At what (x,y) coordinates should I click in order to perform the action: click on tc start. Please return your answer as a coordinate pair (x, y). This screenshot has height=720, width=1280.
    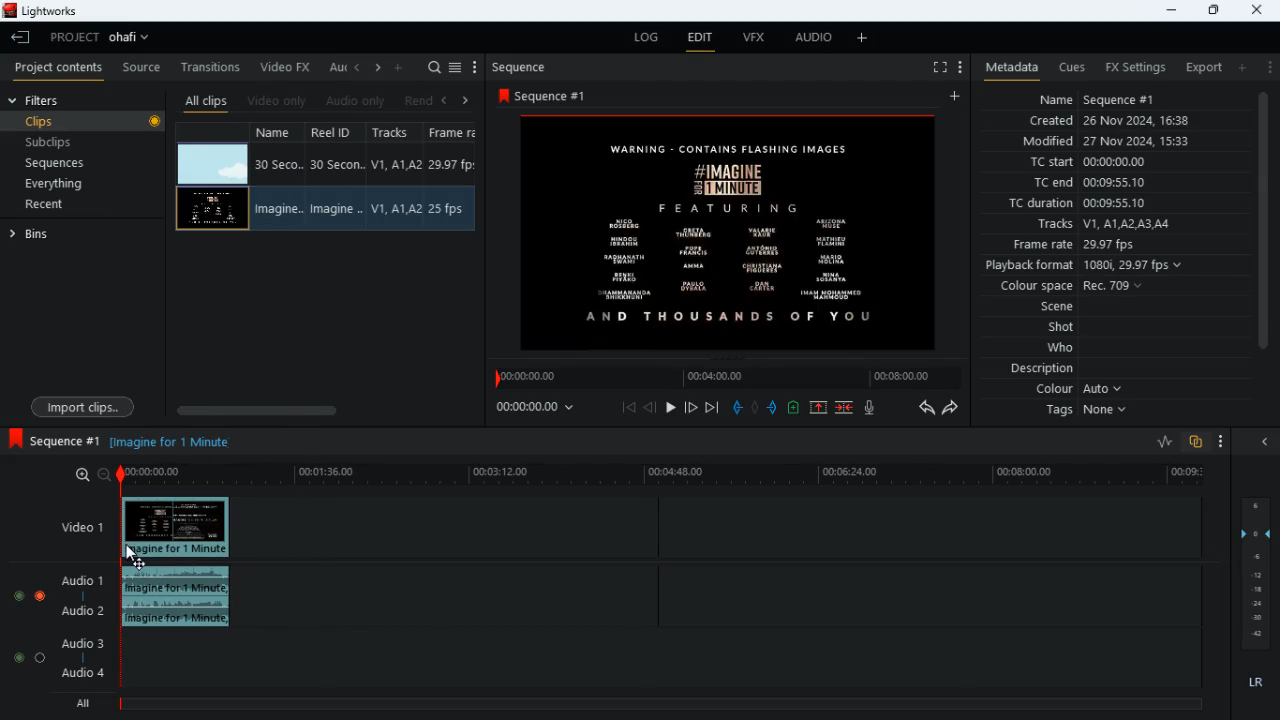
    Looking at the image, I should click on (1118, 163).